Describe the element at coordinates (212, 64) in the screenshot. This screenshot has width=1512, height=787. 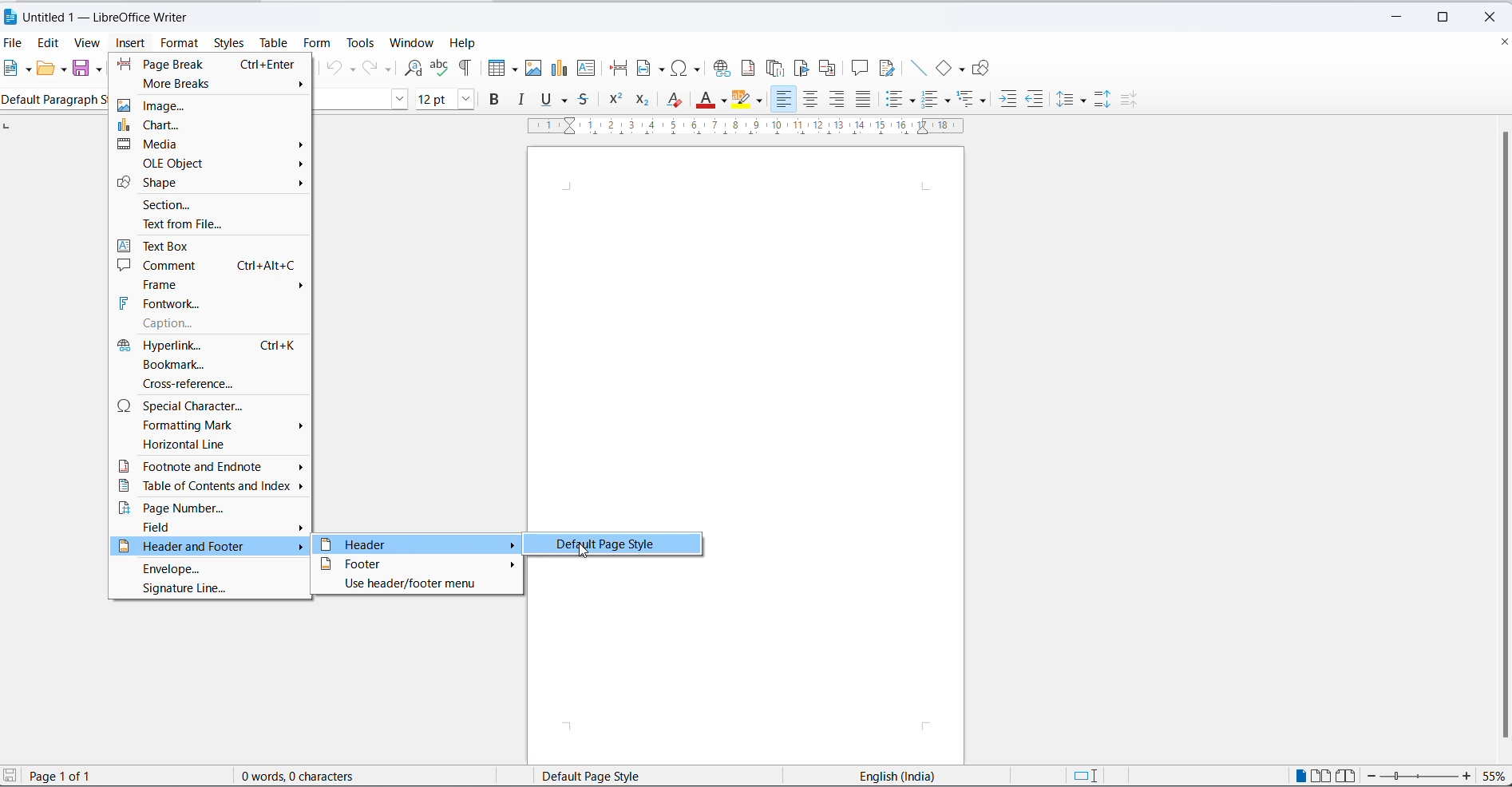
I see `page break` at that location.